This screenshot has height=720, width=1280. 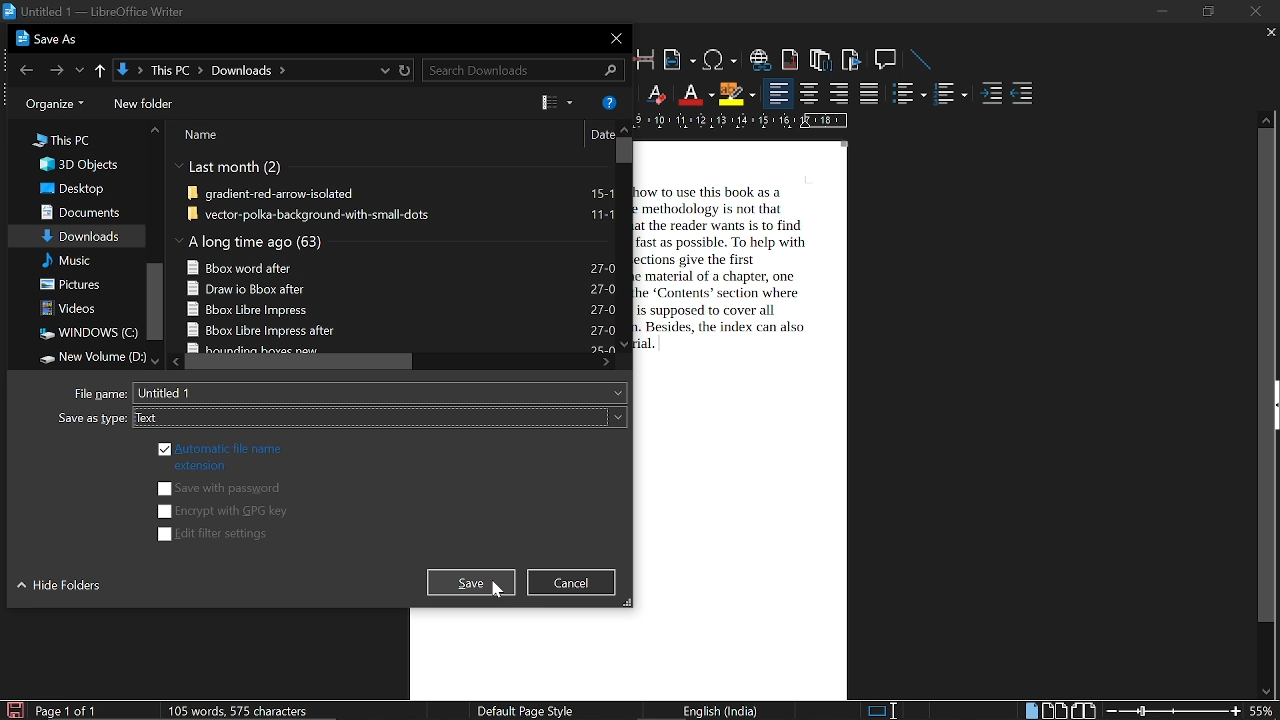 What do you see at coordinates (220, 489) in the screenshot?
I see `save with passwords` at bounding box center [220, 489].